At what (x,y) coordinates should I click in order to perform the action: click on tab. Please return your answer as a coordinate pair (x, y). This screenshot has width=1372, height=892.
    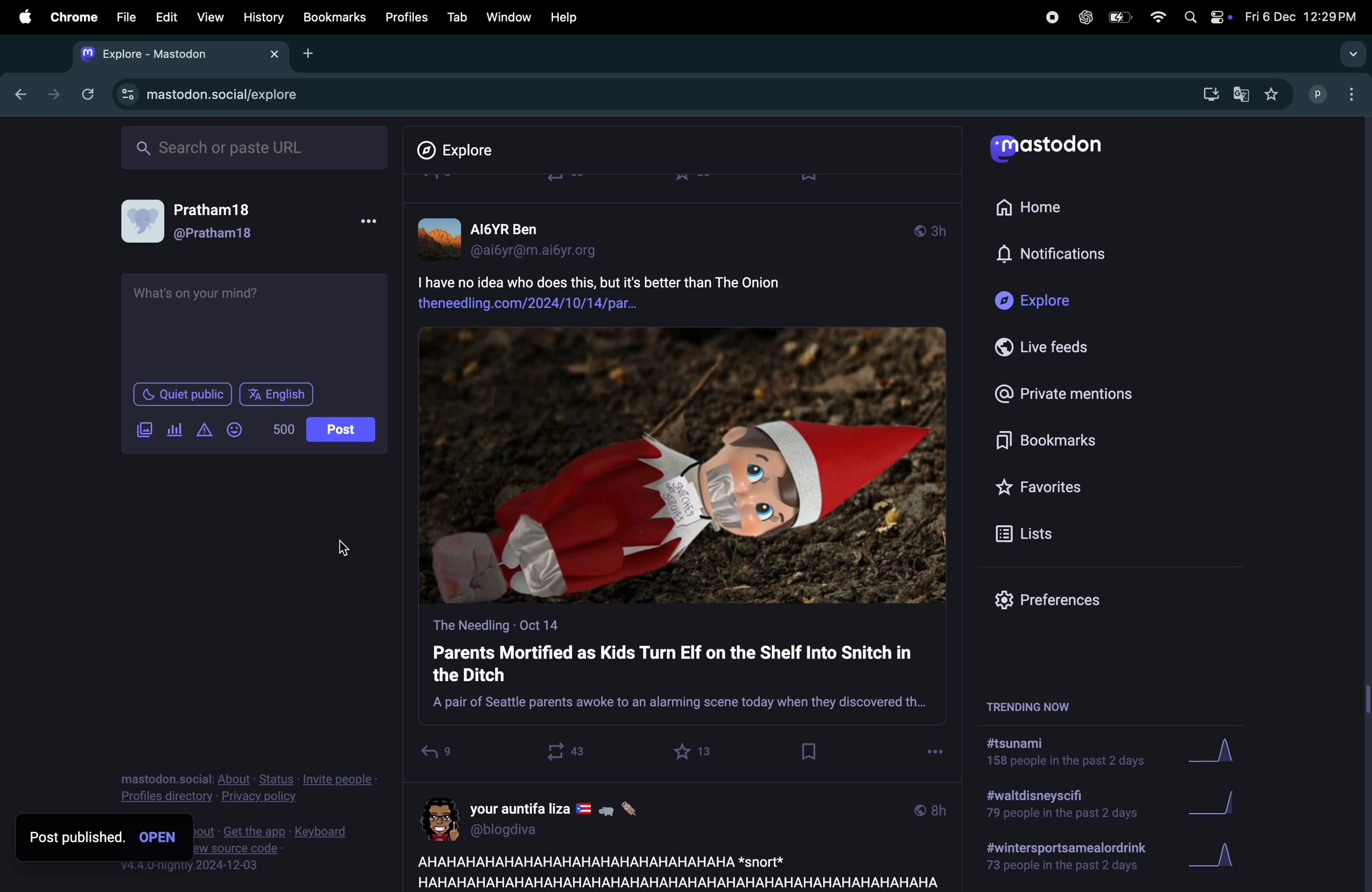
    Looking at the image, I should click on (457, 17).